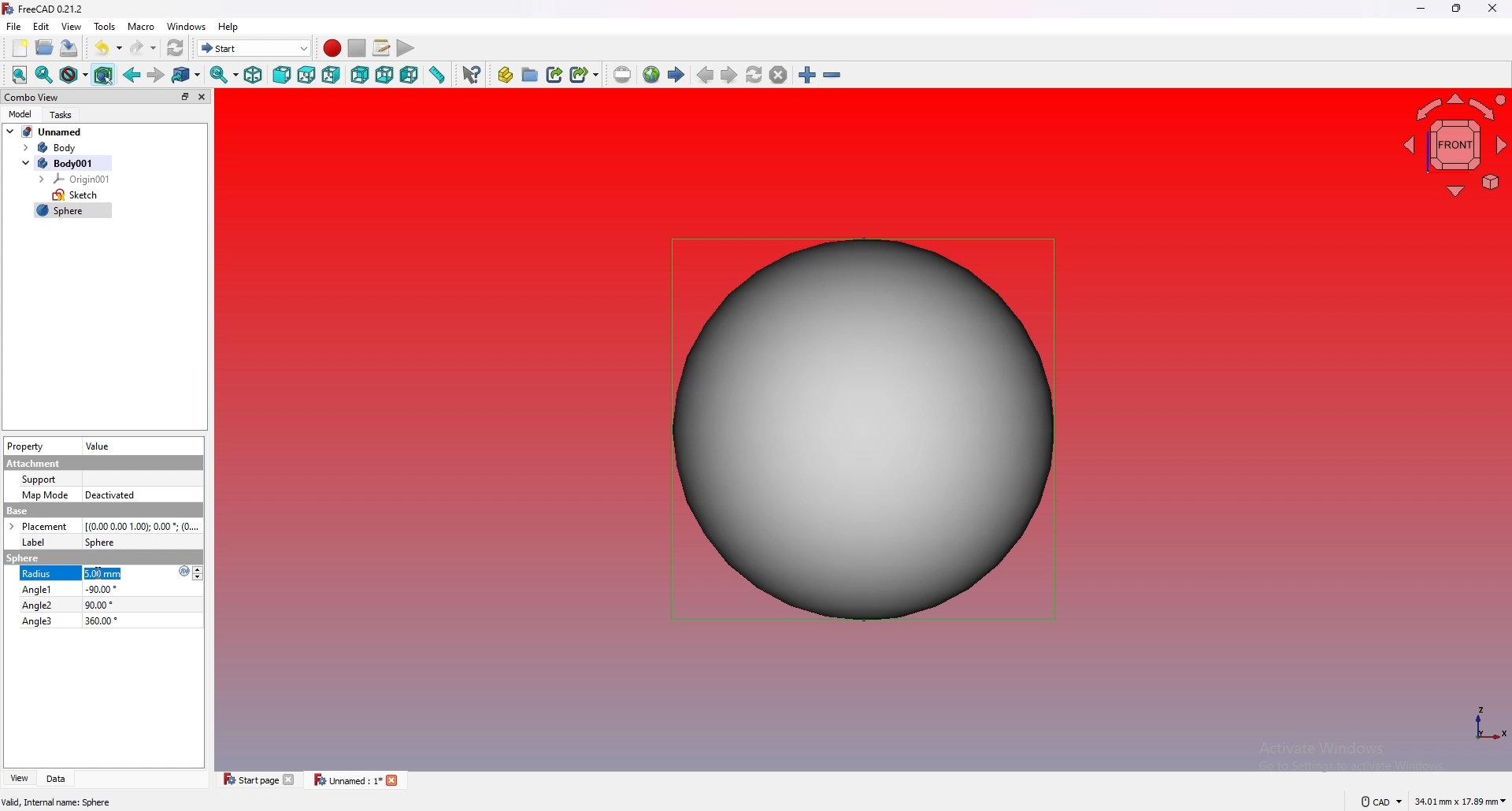  What do you see at coordinates (406, 48) in the screenshot?
I see `execute macro` at bounding box center [406, 48].